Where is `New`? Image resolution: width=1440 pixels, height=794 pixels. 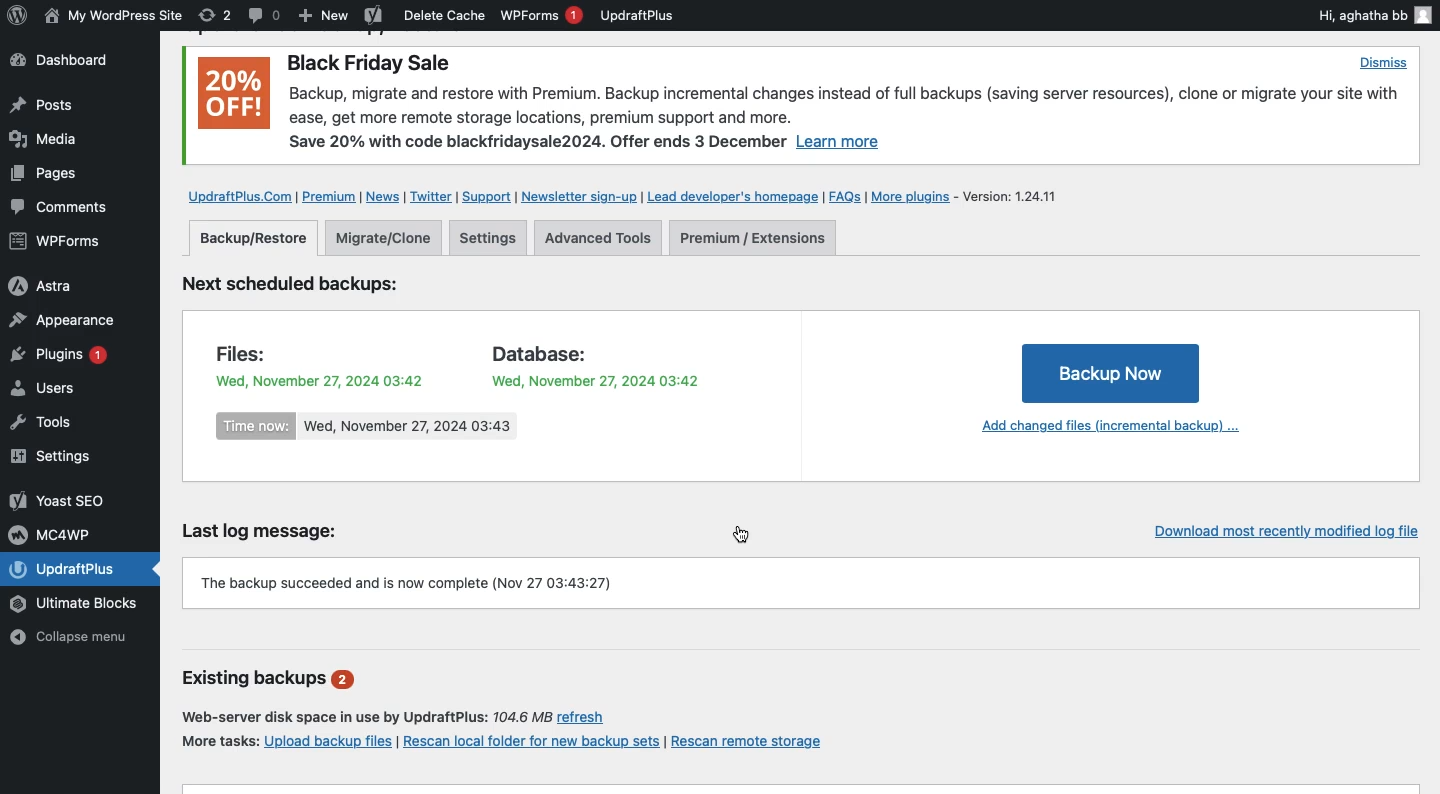 New is located at coordinates (324, 17).